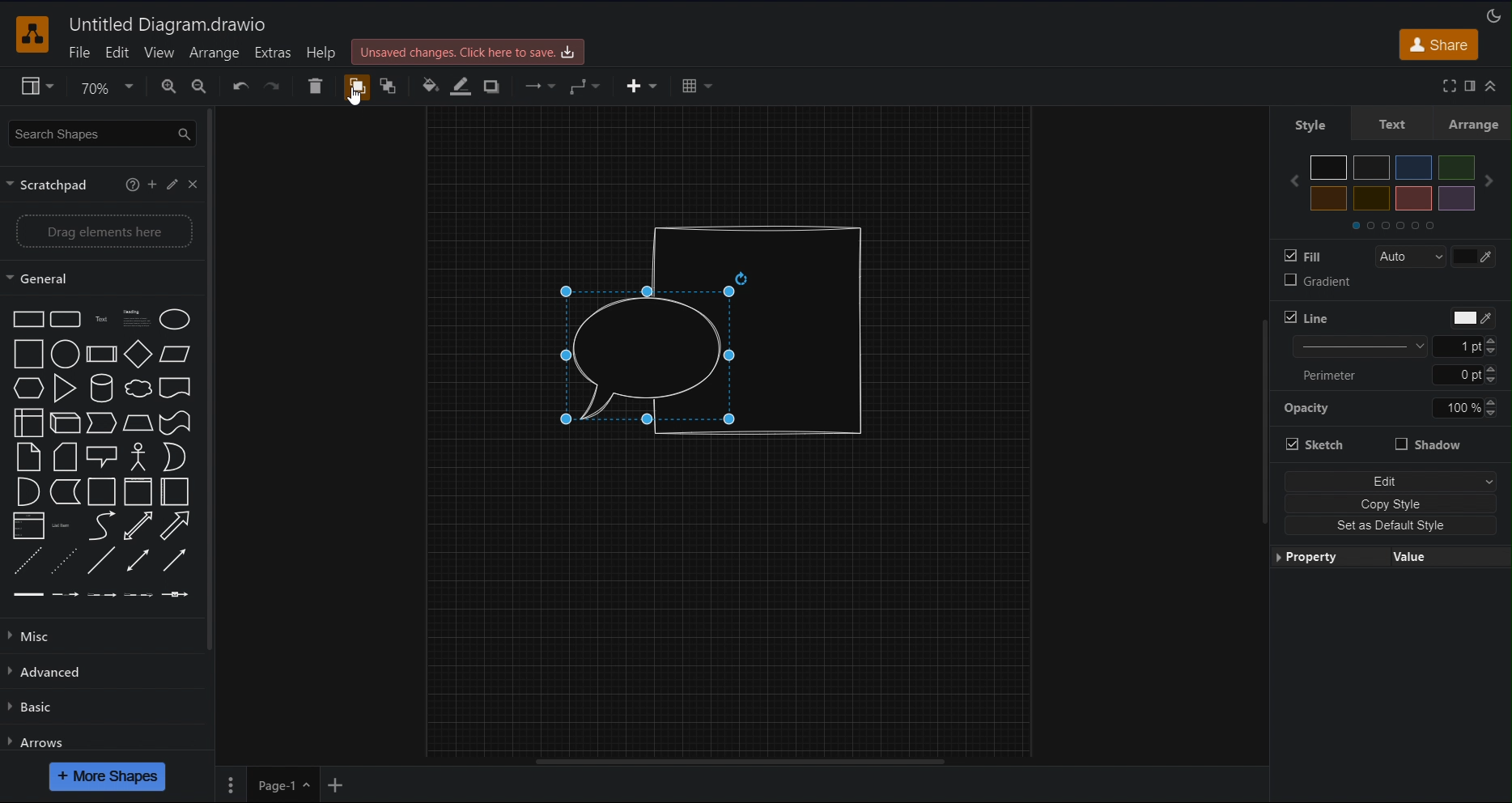 Image resolution: width=1512 pixels, height=803 pixels. What do you see at coordinates (37, 86) in the screenshot?
I see `View` at bounding box center [37, 86].